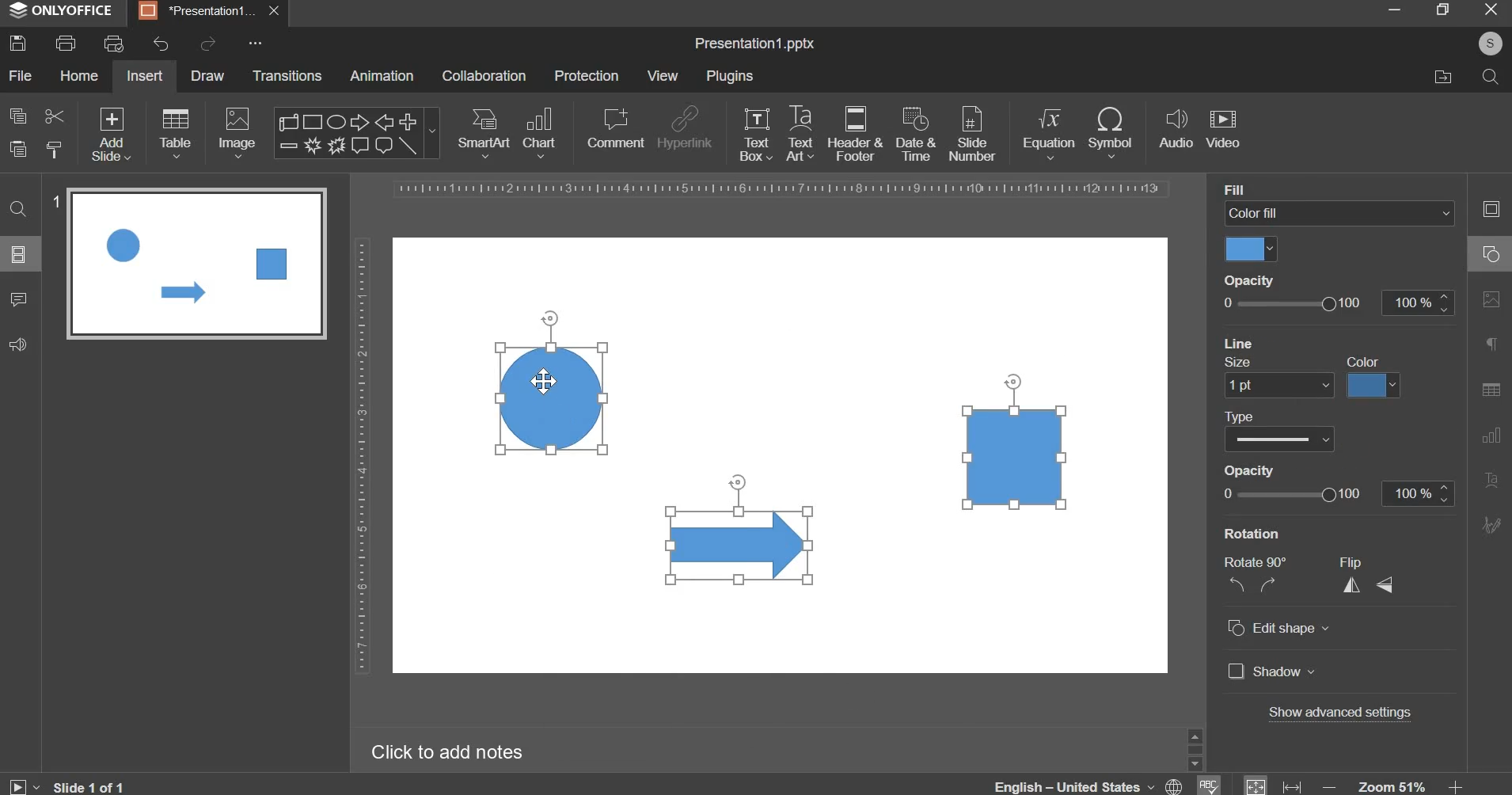 The image size is (1512, 795). What do you see at coordinates (1016, 456) in the screenshot?
I see `rectangle` at bounding box center [1016, 456].